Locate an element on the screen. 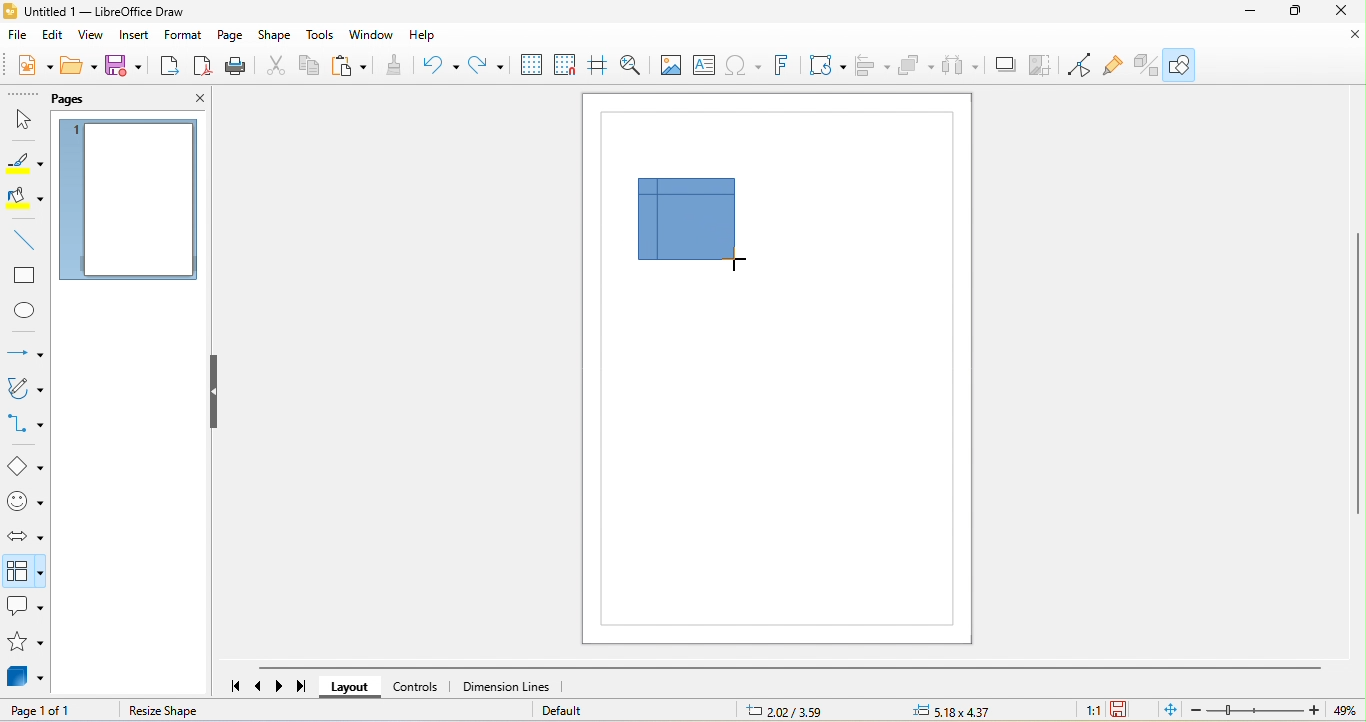  arrange is located at coordinates (916, 67).